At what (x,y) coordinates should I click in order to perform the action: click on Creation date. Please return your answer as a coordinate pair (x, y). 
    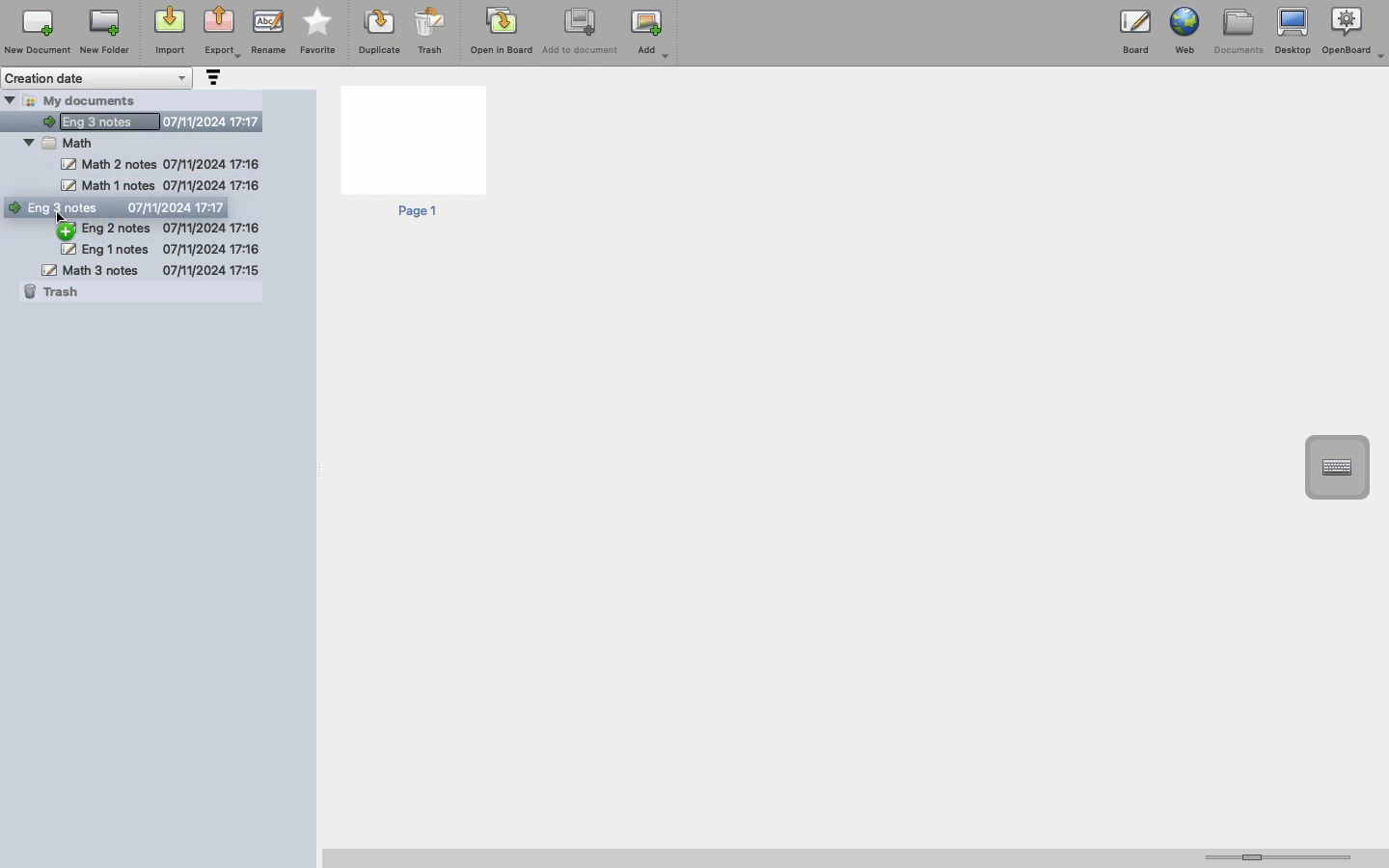
    Looking at the image, I should click on (98, 78).